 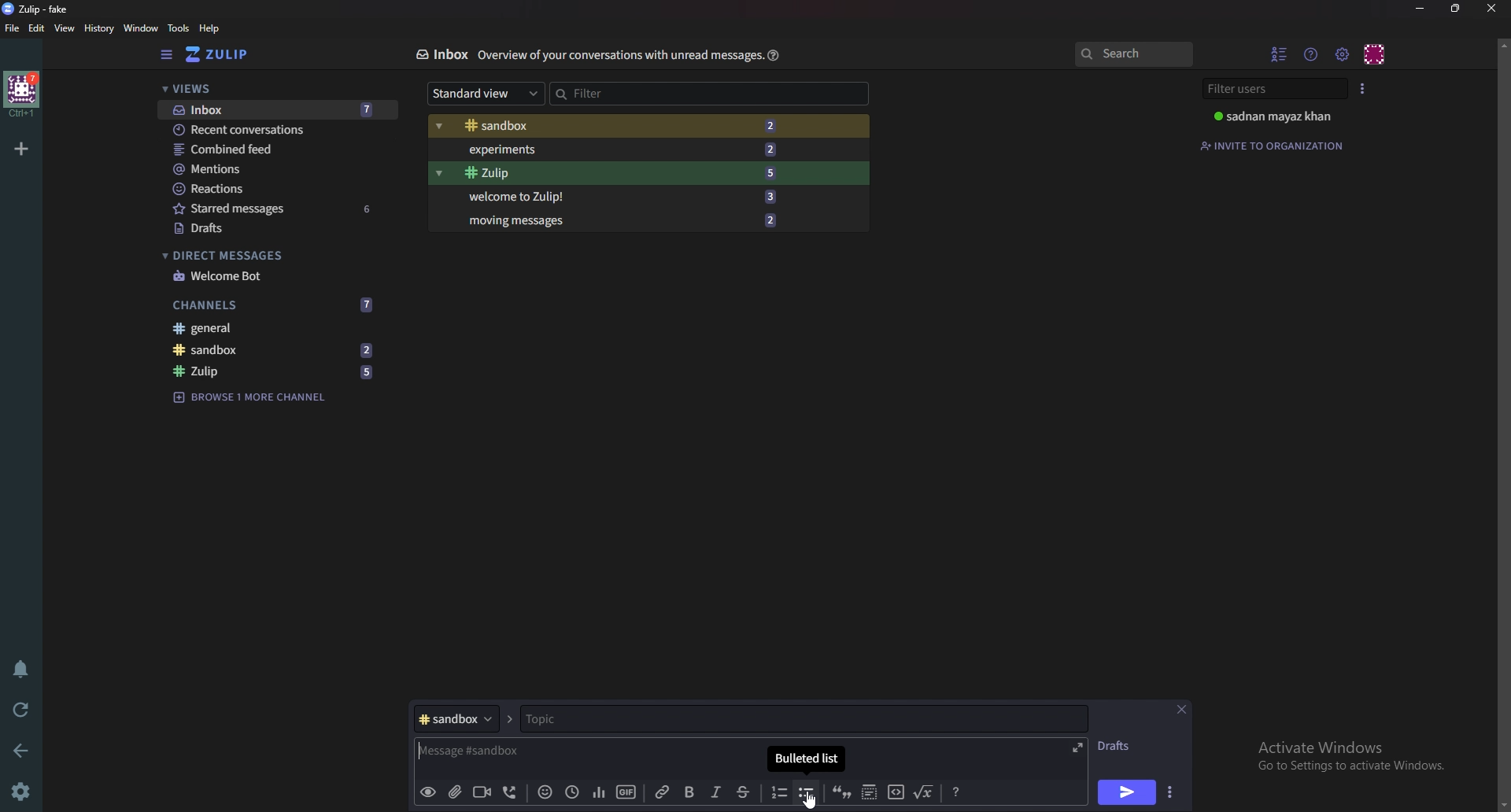 I want to click on views, so click(x=277, y=90).